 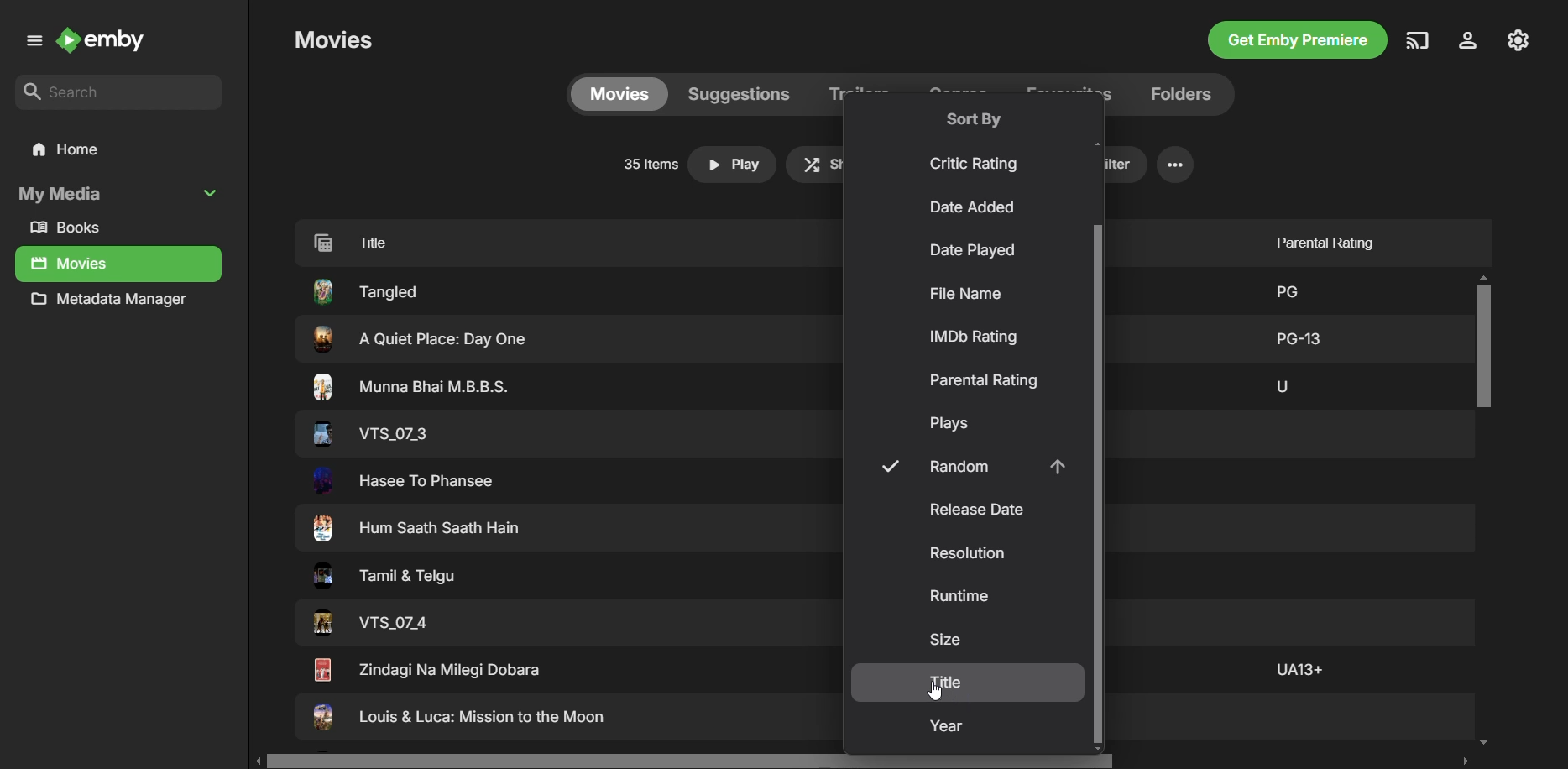 I want to click on , so click(x=416, y=339).